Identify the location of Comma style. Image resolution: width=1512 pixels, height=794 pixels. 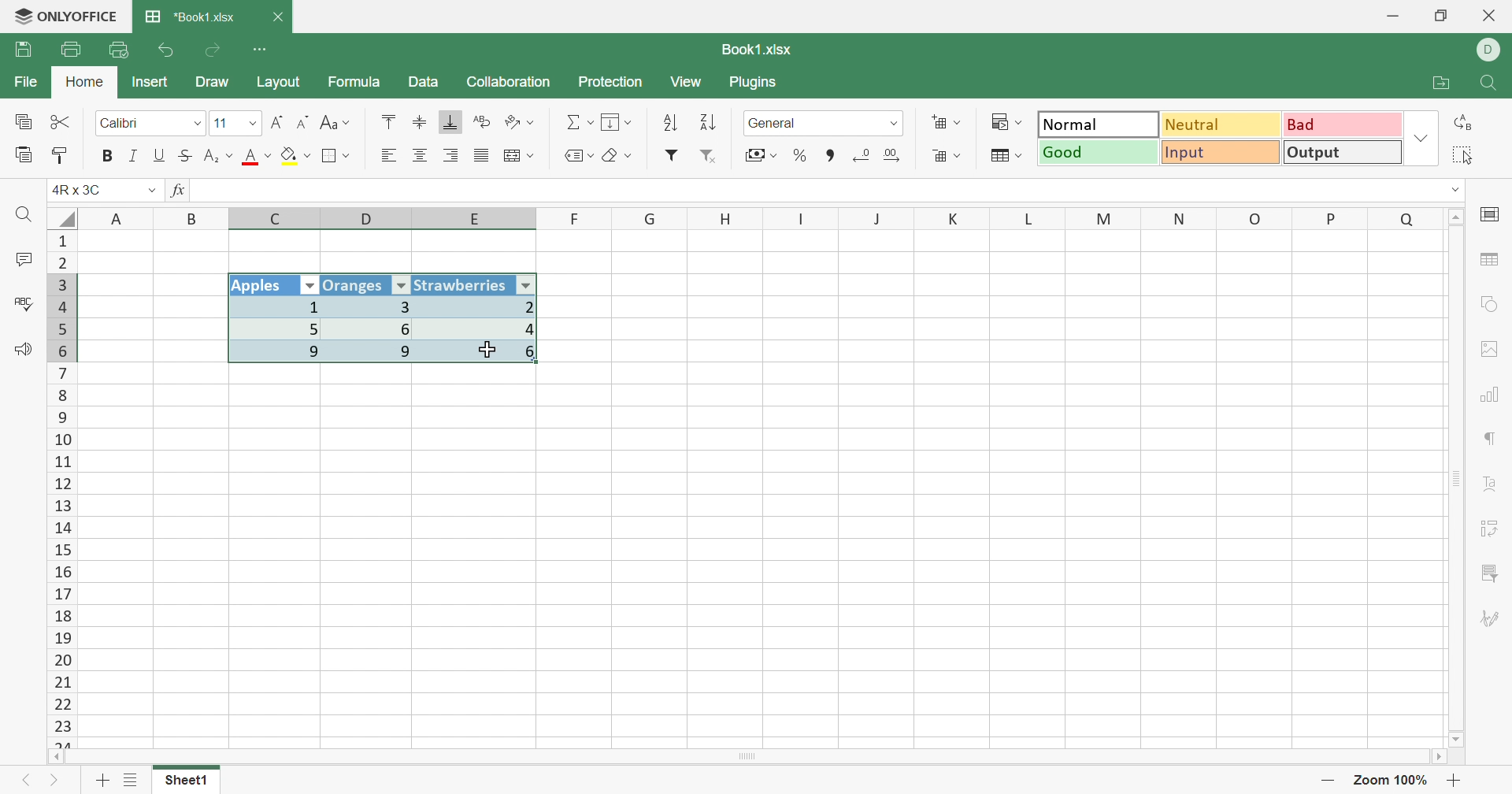
(831, 154).